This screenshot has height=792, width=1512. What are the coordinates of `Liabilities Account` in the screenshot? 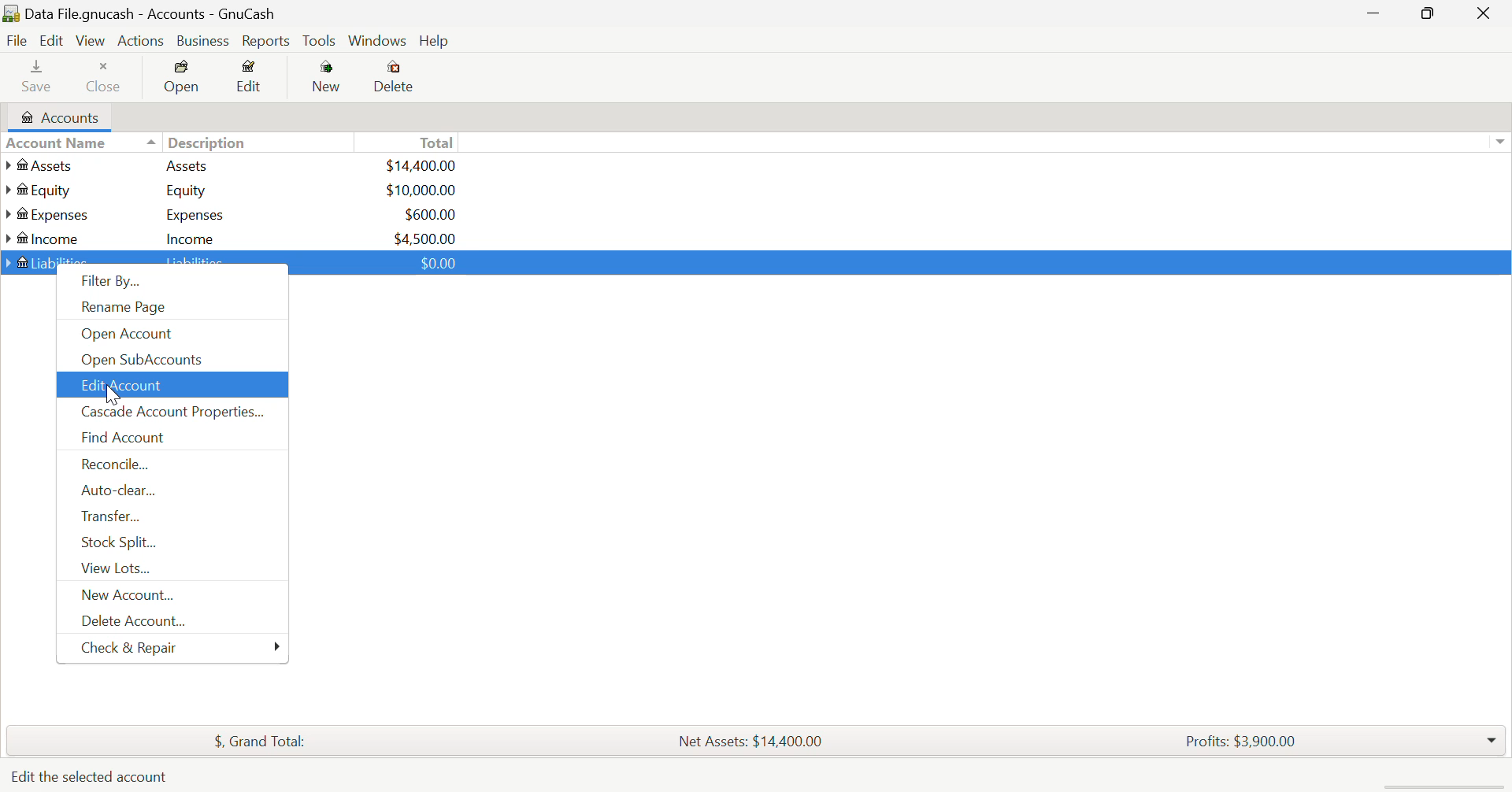 It's located at (48, 261).